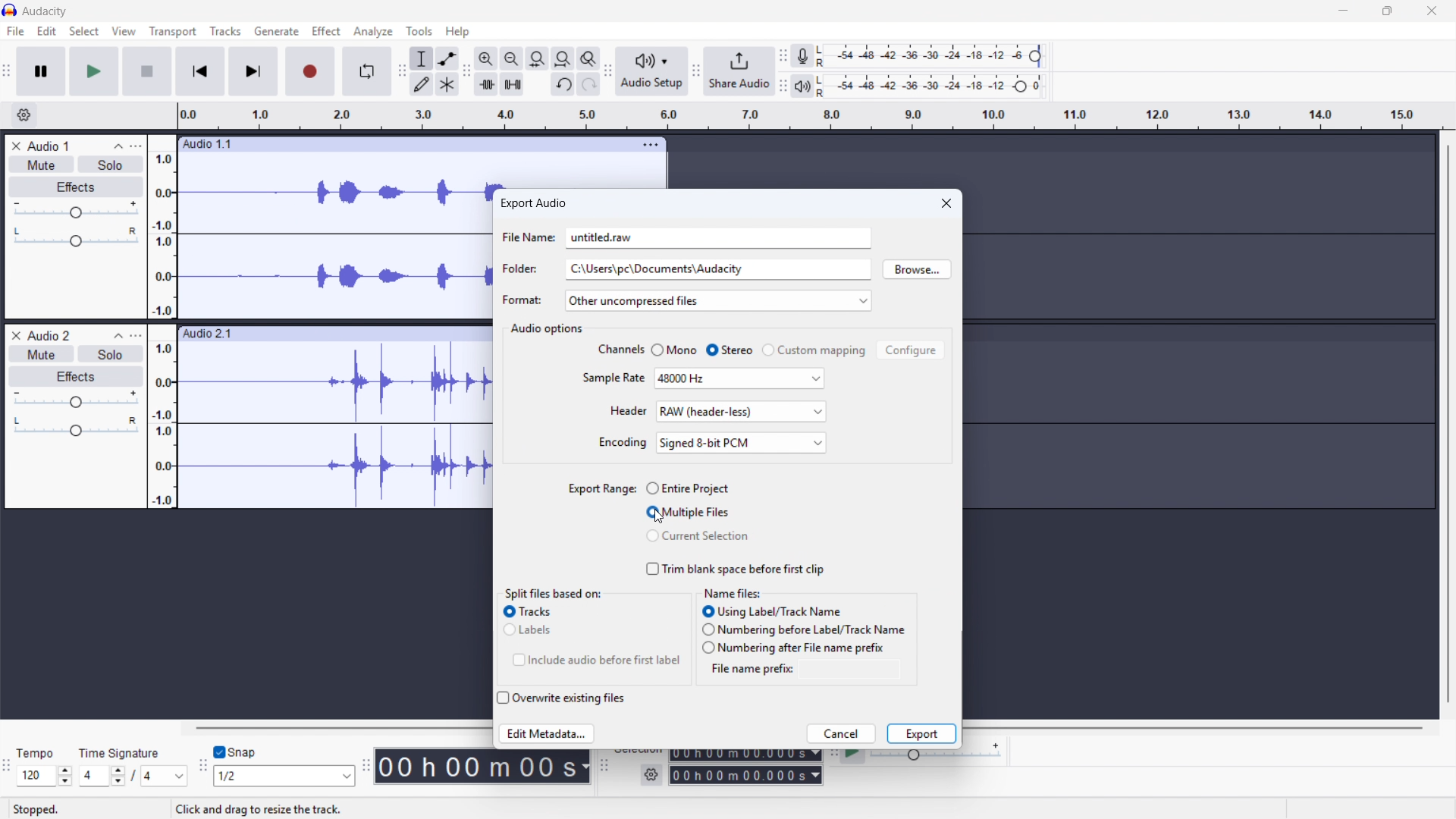 The width and height of the screenshot is (1456, 819). Describe the element at coordinates (745, 755) in the screenshot. I see `Selection start time` at that location.